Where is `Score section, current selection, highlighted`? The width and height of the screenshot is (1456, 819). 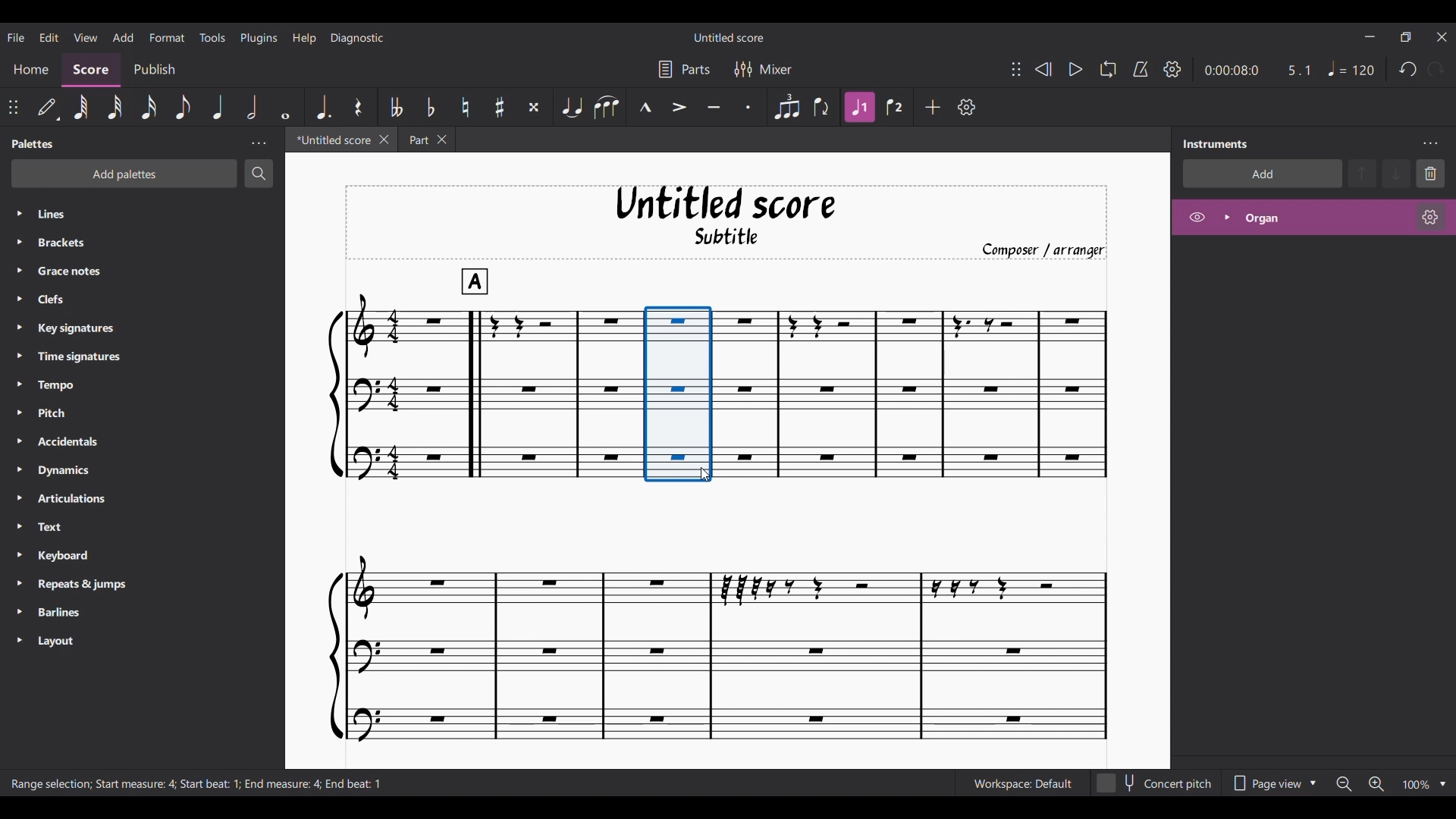
Score section, current selection, highlighted is located at coordinates (91, 69).